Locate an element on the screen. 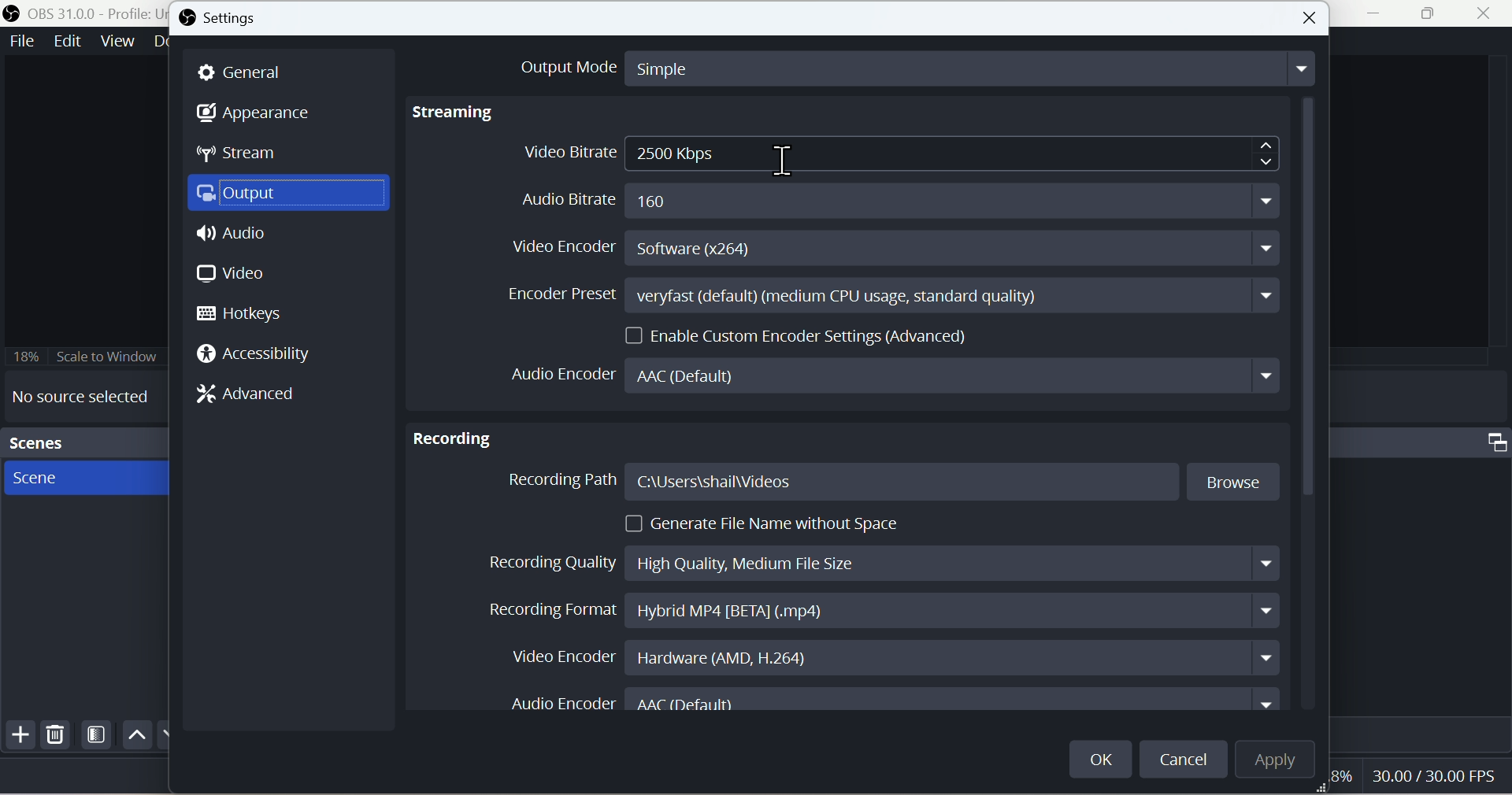 Image resolution: width=1512 pixels, height=795 pixels. Recording Quality is located at coordinates (879, 559).